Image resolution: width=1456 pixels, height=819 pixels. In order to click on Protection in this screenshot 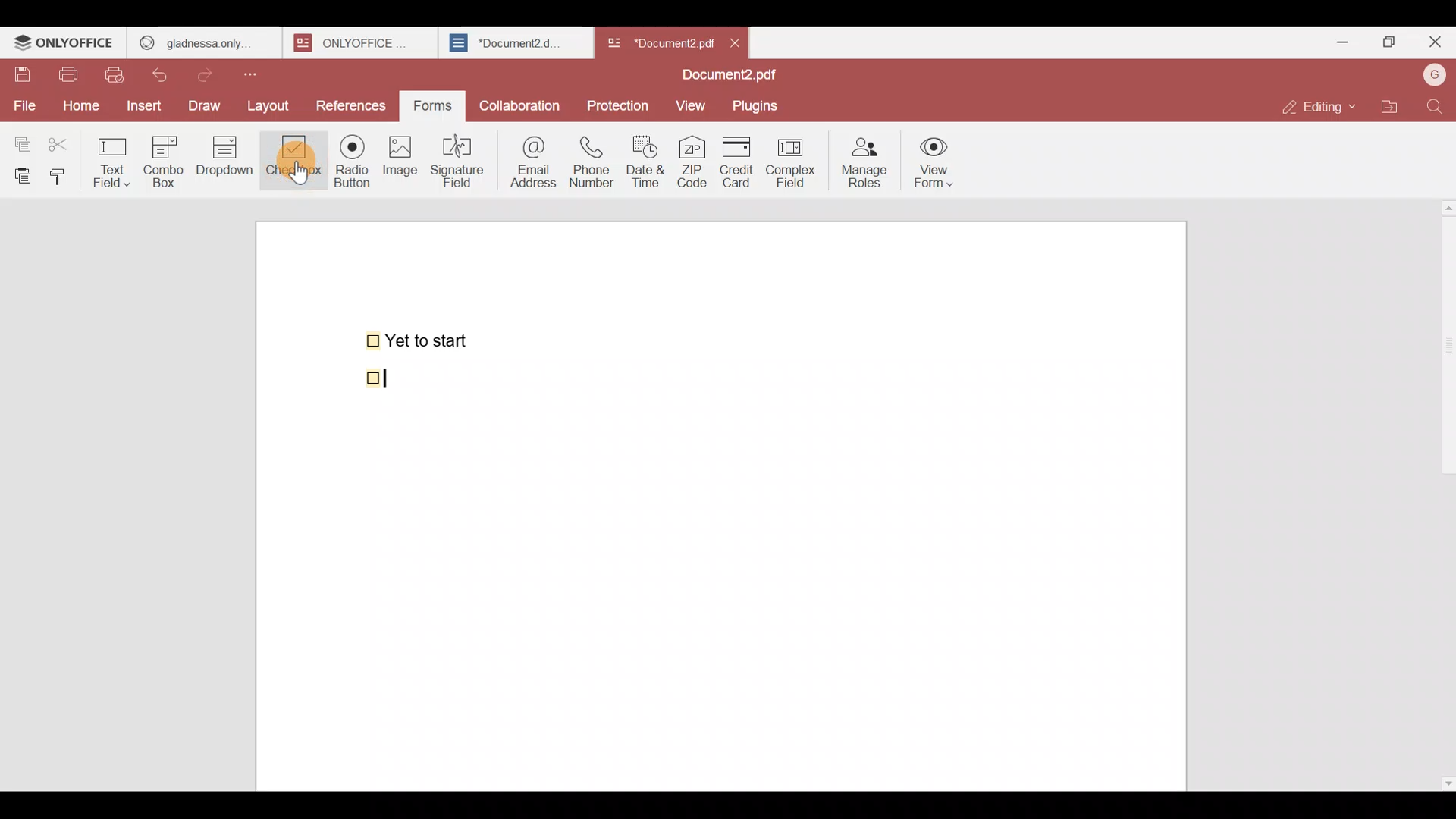, I will do `click(619, 105)`.